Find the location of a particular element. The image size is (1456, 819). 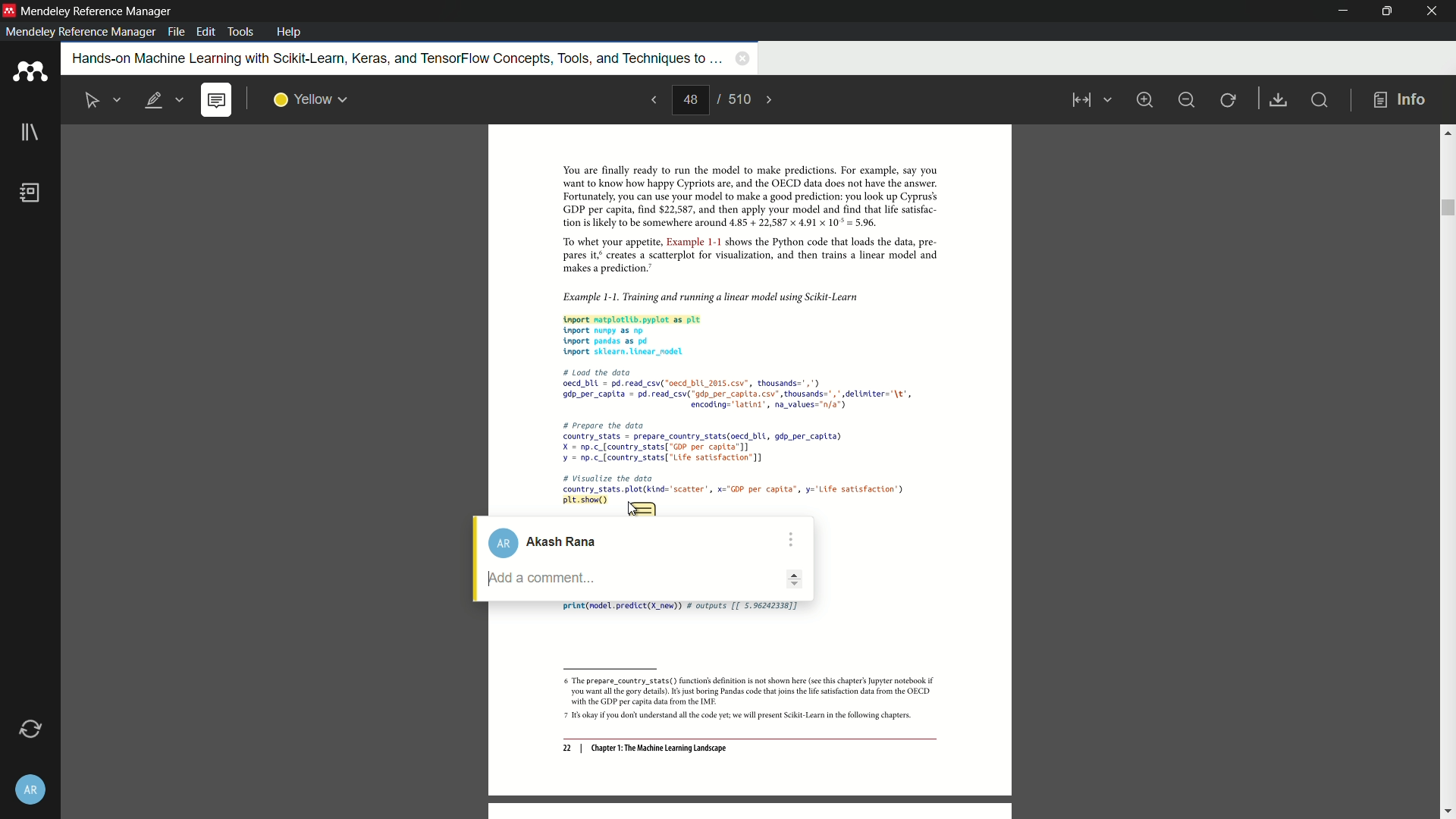

file menu is located at coordinates (176, 32).